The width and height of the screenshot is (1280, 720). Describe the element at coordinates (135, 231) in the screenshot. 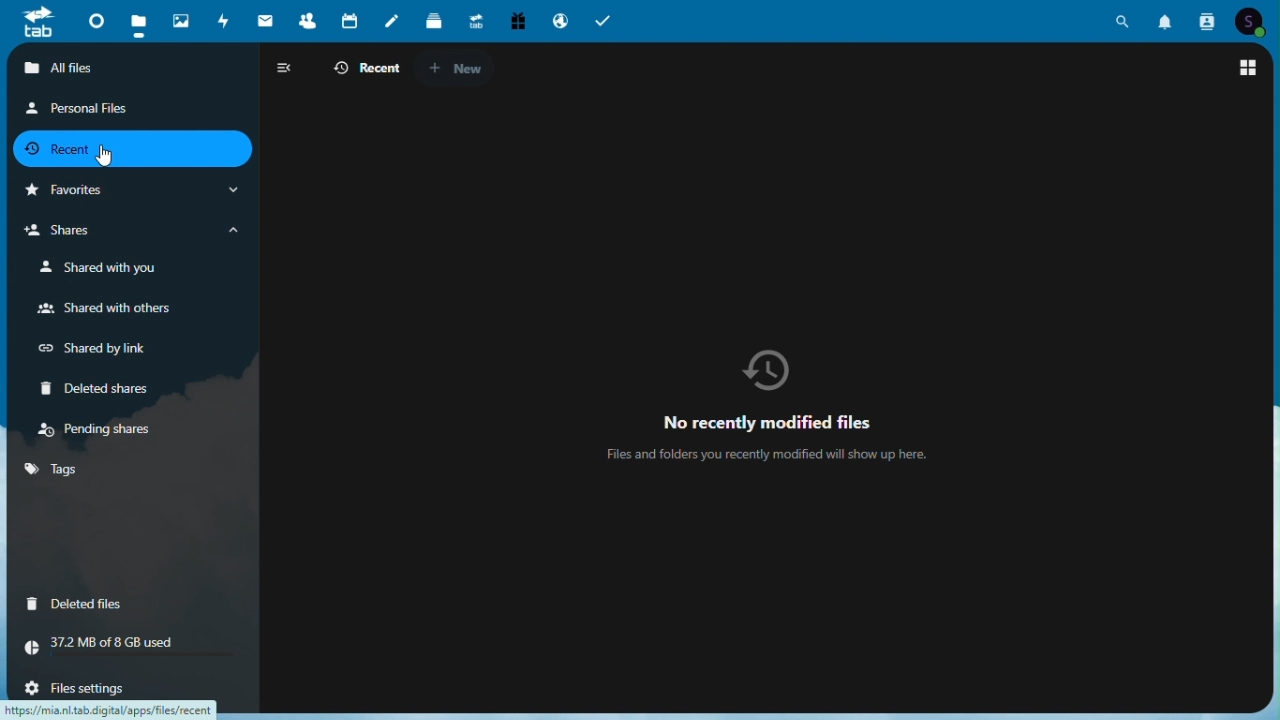

I see `Shares` at that location.